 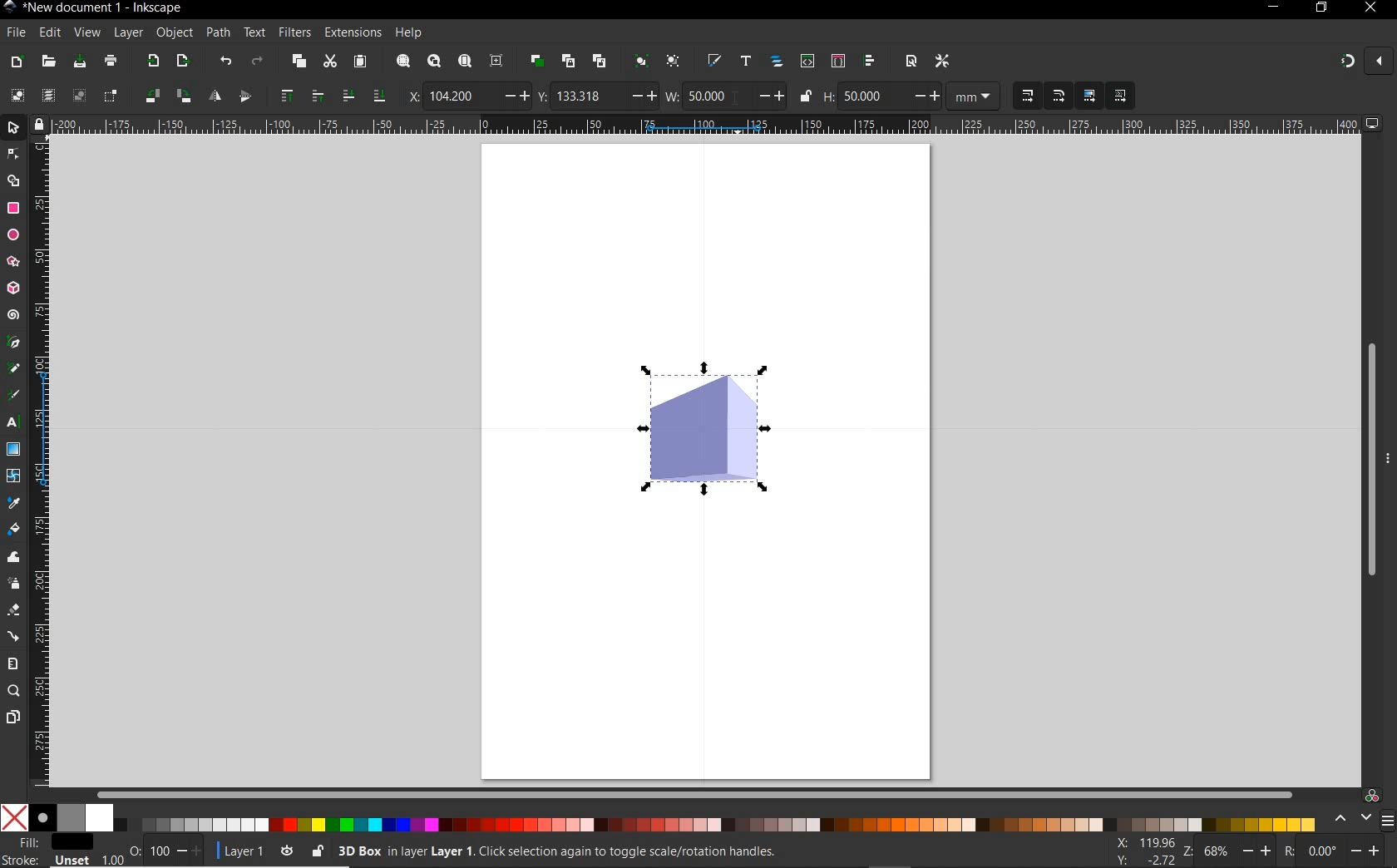 What do you see at coordinates (704, 430) in the screenshot?
I see `shape` at bounding box center [704, 430].